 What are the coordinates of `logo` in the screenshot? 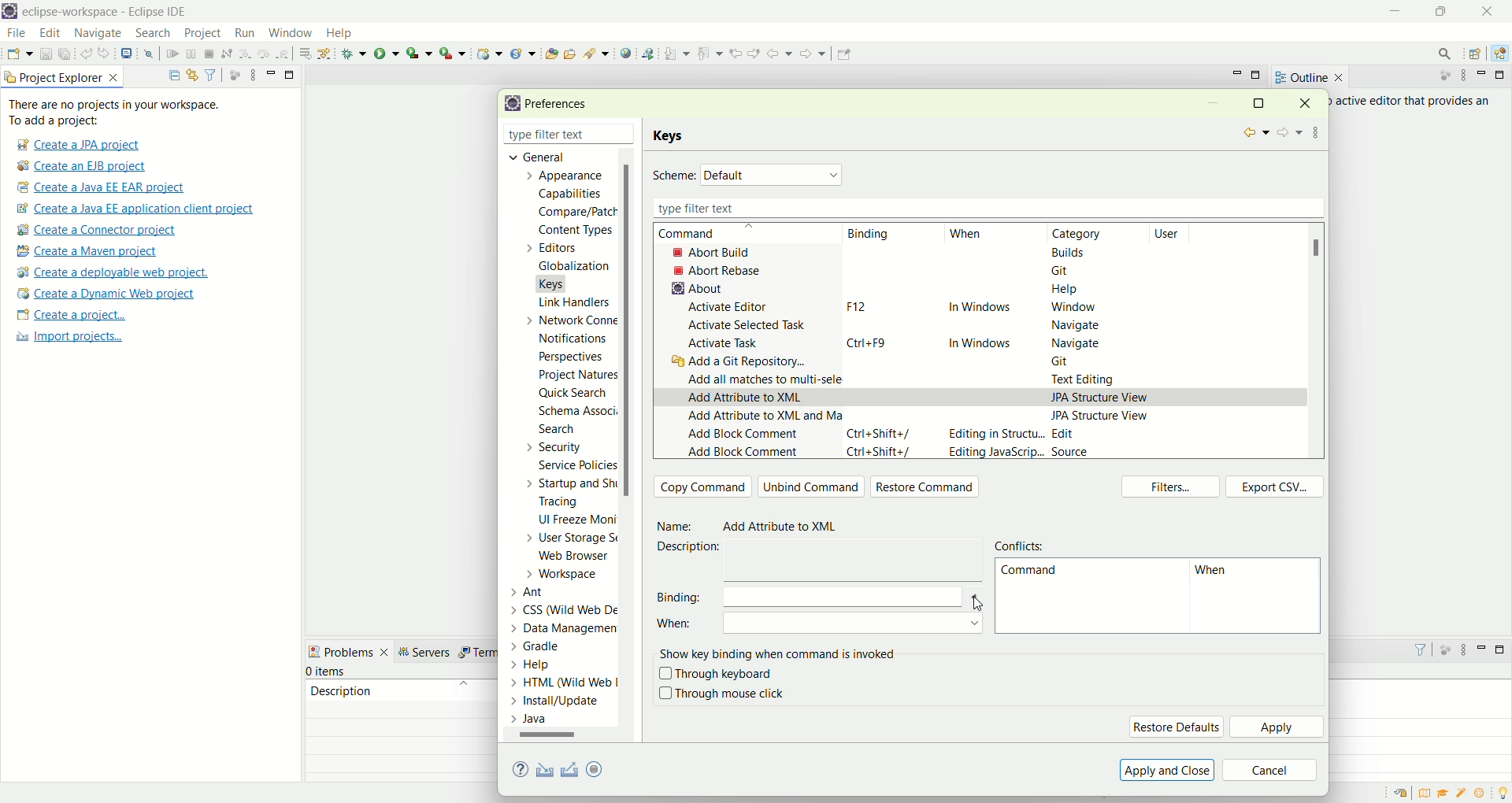 It's located at (9, 13).